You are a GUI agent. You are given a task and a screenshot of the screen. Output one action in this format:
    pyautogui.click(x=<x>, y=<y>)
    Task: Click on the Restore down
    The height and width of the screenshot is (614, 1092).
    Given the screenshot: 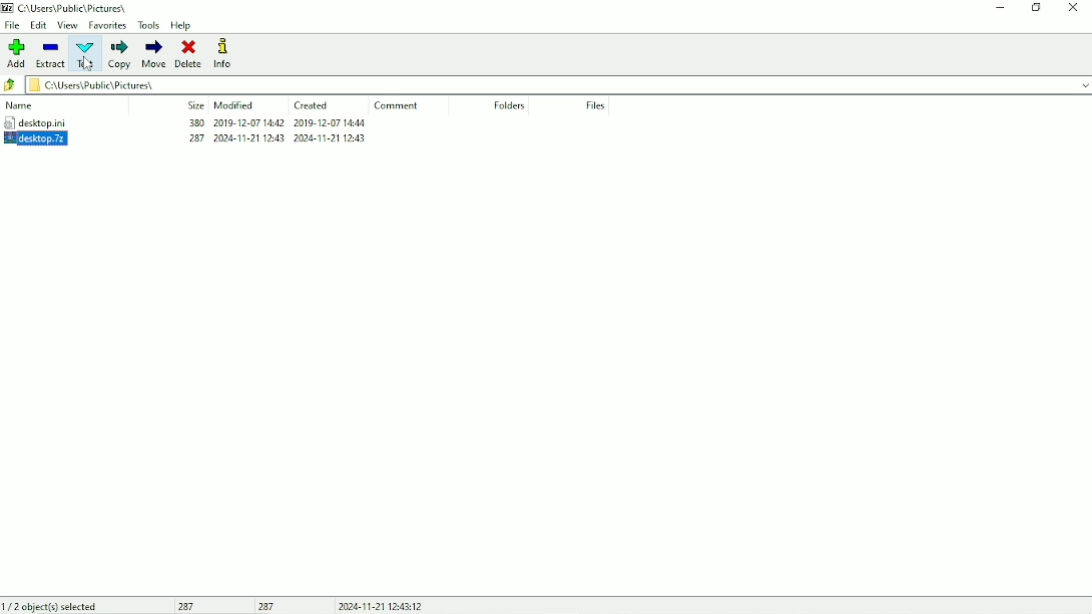 What is the action you would take?
    pyautogui.click(x=1037, y=8)
    